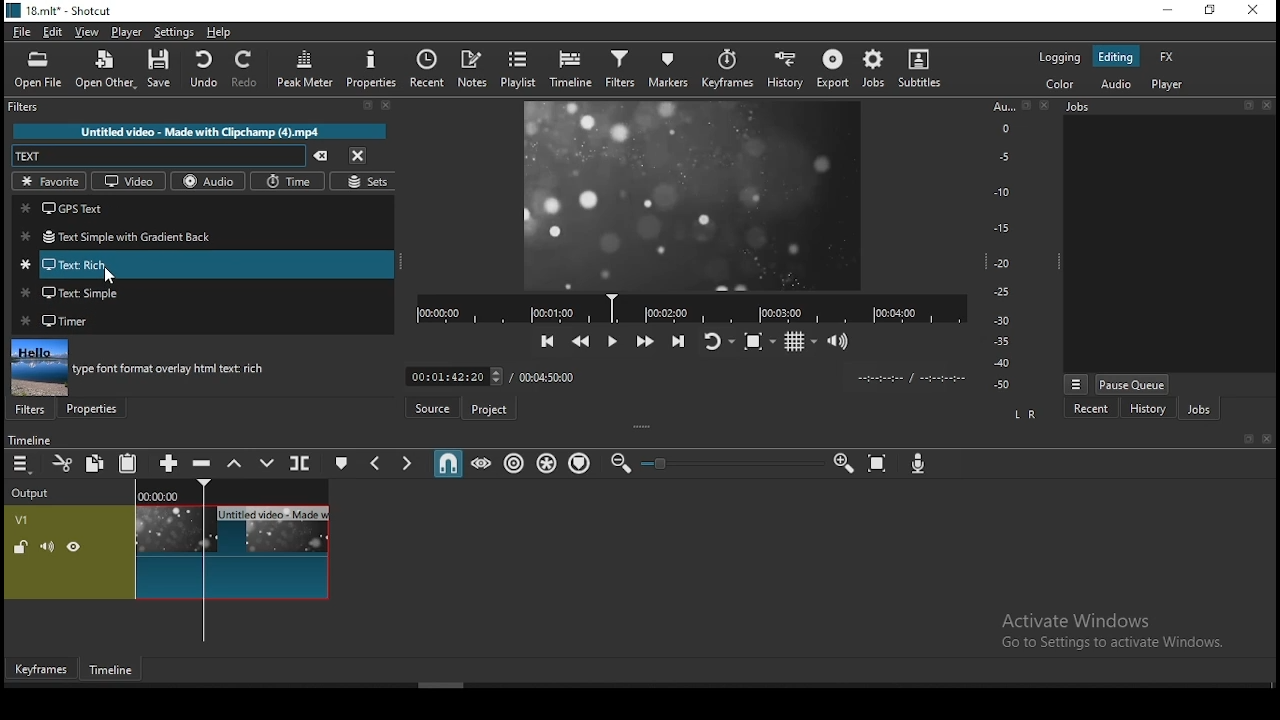 This screenshot has width=1280, height=720. Describe the element at coordinates (29, 439) in the screenshot. I see `Timeline` at that location.